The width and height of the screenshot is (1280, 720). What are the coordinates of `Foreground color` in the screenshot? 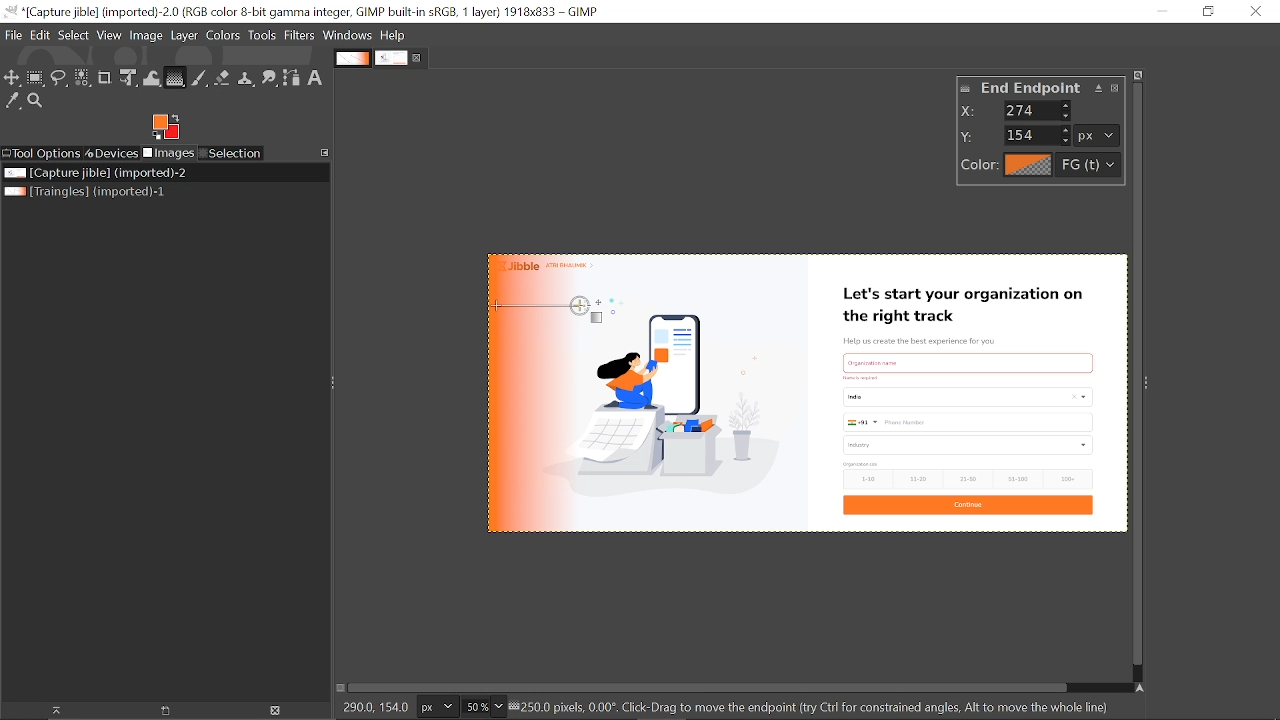 It's located at (165, 127).